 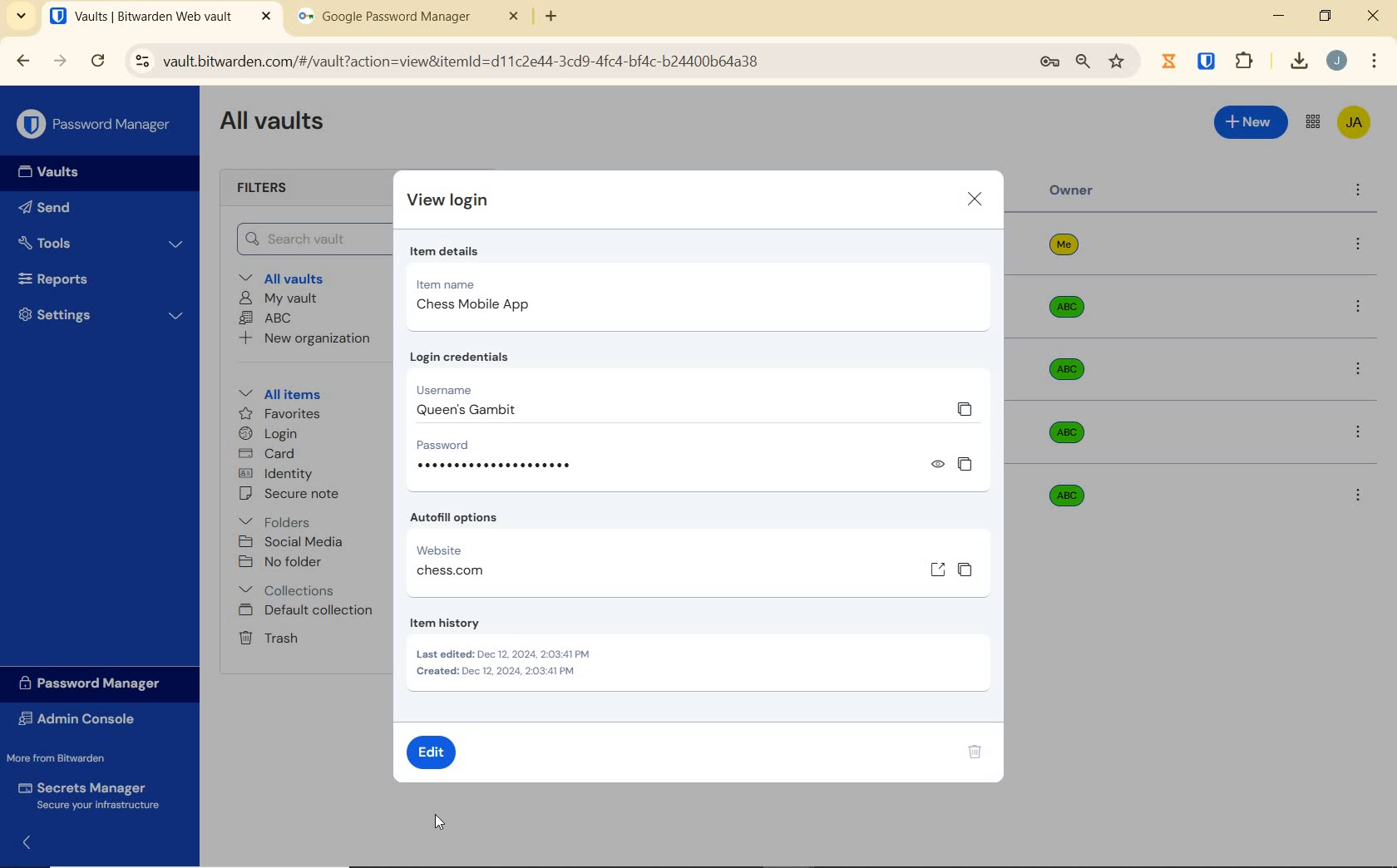 I want to click on restore, so click(x=1324, y=16).